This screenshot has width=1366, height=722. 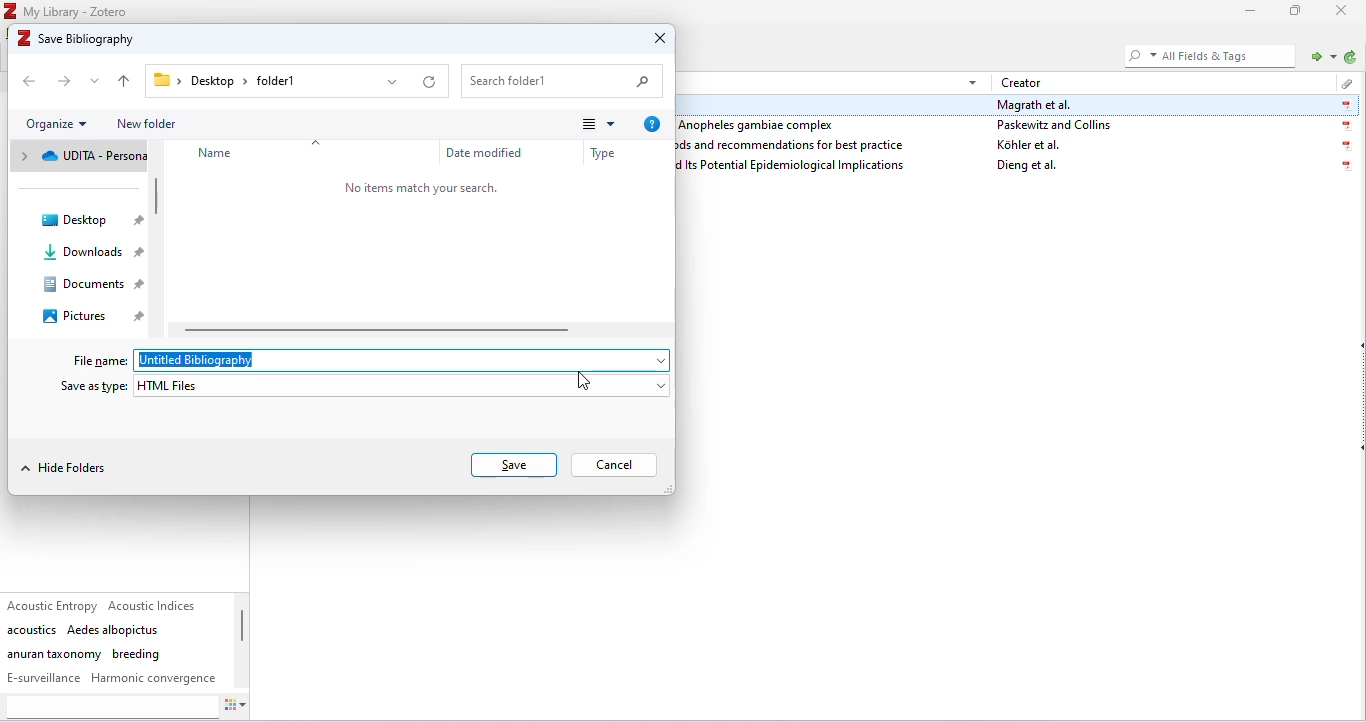 I want to click on vertical scroll bar, so click(x=161, y=201).